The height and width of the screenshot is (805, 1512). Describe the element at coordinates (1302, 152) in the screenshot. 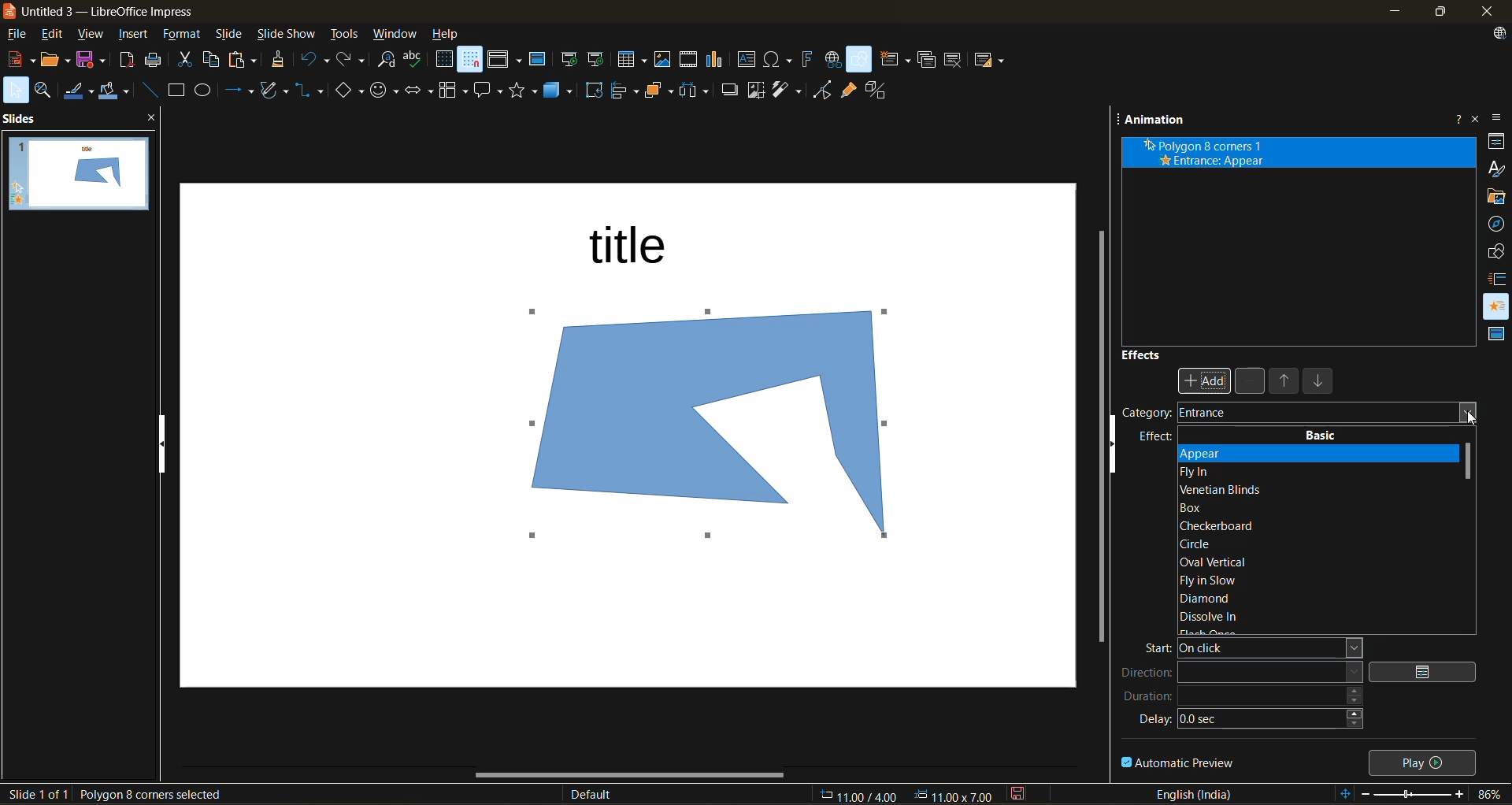

I see `animation effect` at that location.